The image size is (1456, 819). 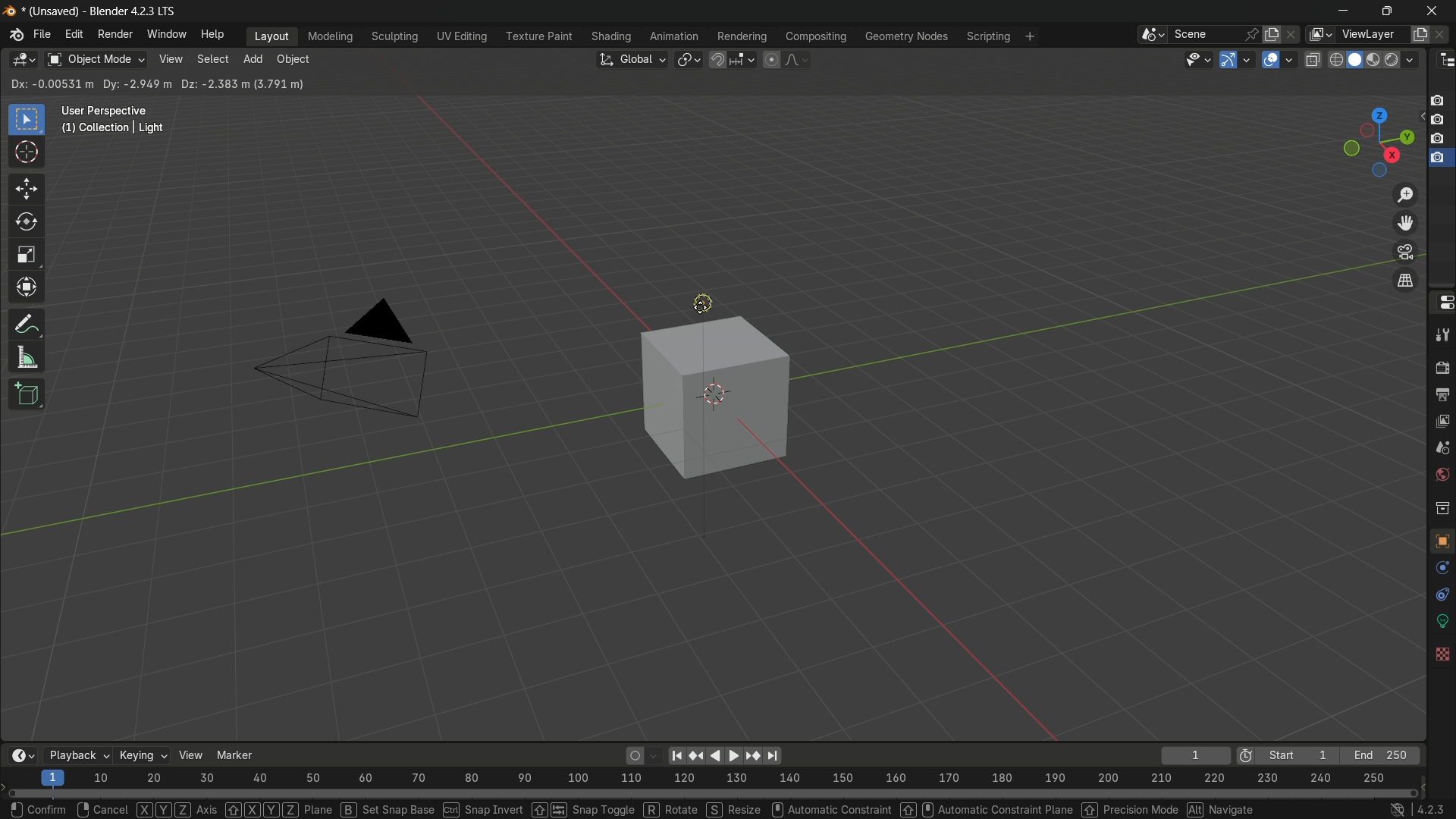 What do you see at coordinates (1439, 623) in the screenshot?
I see `physics` at bounding box center [1439, 623].